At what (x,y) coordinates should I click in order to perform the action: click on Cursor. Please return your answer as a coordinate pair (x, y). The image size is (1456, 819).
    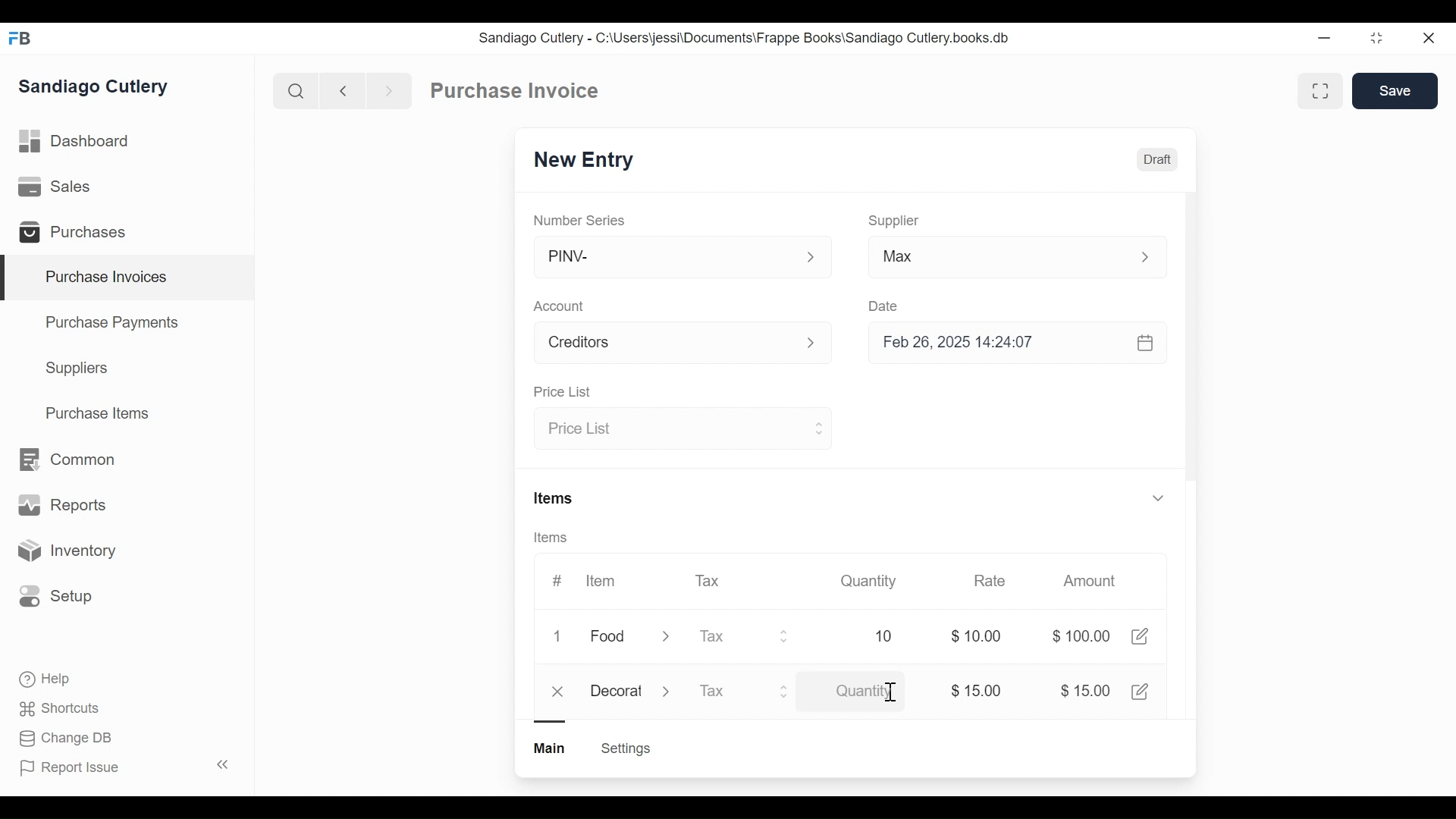
    Looking at the image, I should click on (889, 694).